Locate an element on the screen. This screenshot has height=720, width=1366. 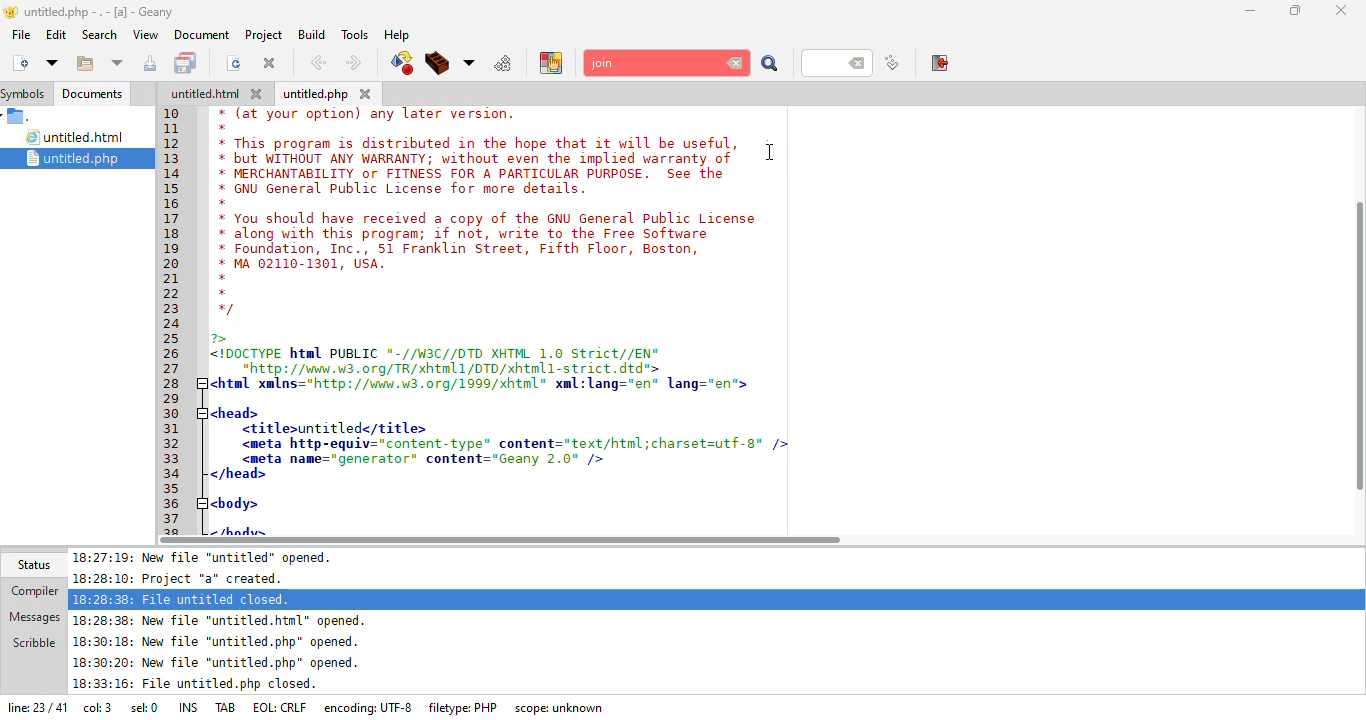
tools is located at coordinates (354, 34).